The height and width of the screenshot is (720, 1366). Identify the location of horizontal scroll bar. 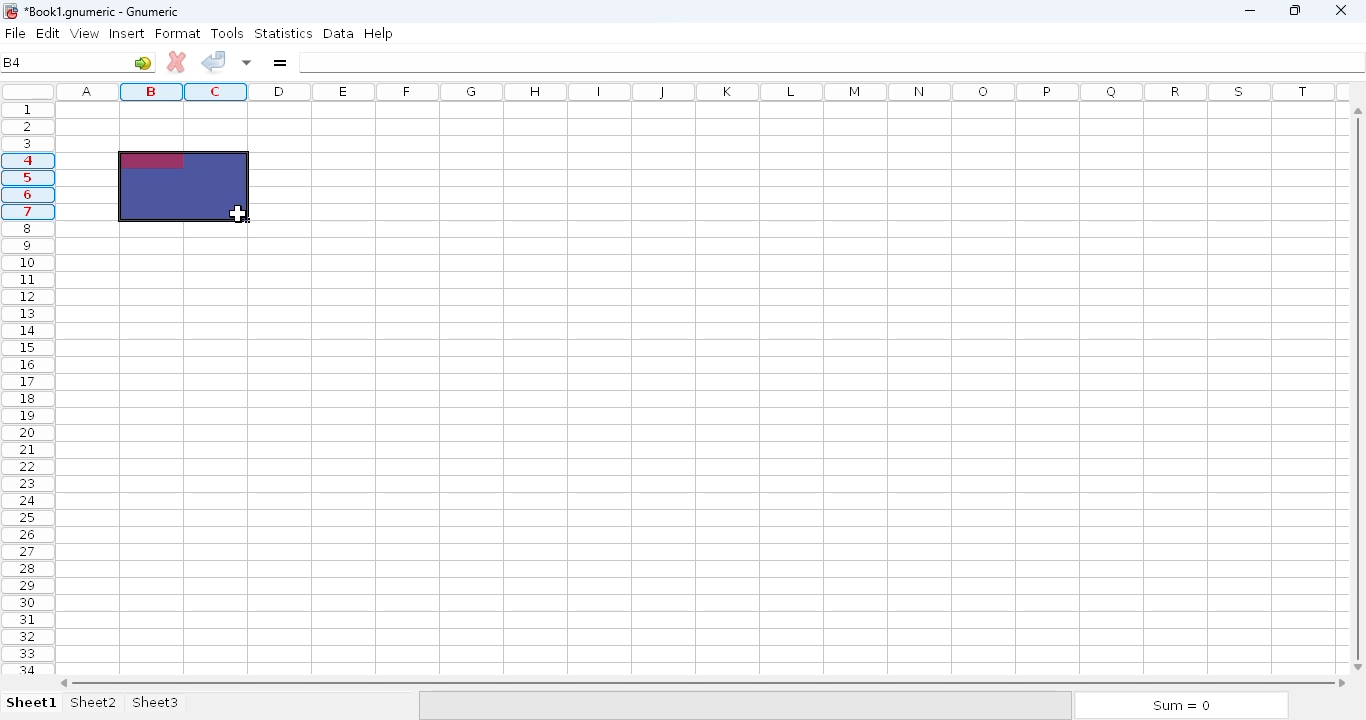
(705, 682).